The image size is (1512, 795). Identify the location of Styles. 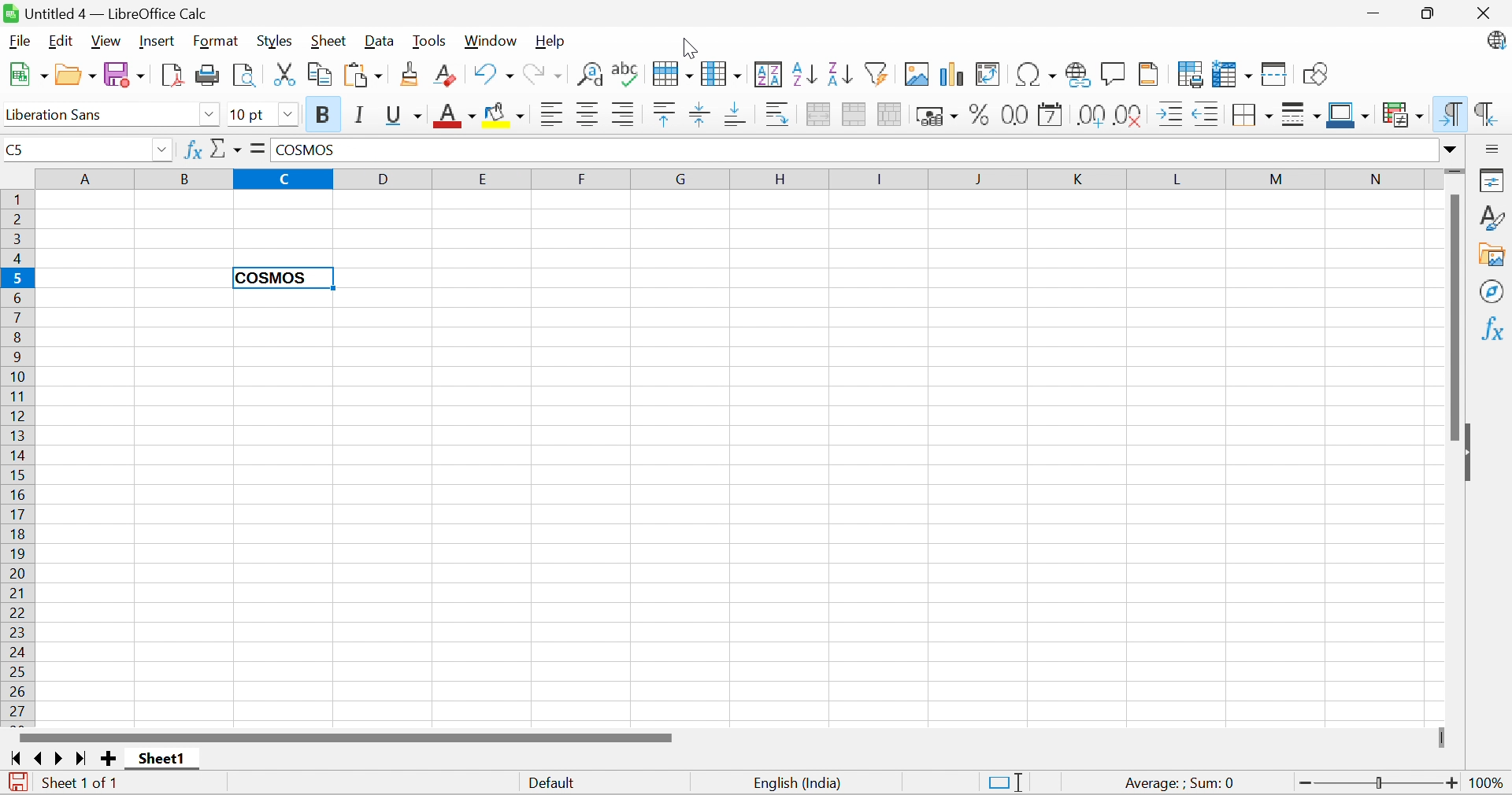
(1494, 218).